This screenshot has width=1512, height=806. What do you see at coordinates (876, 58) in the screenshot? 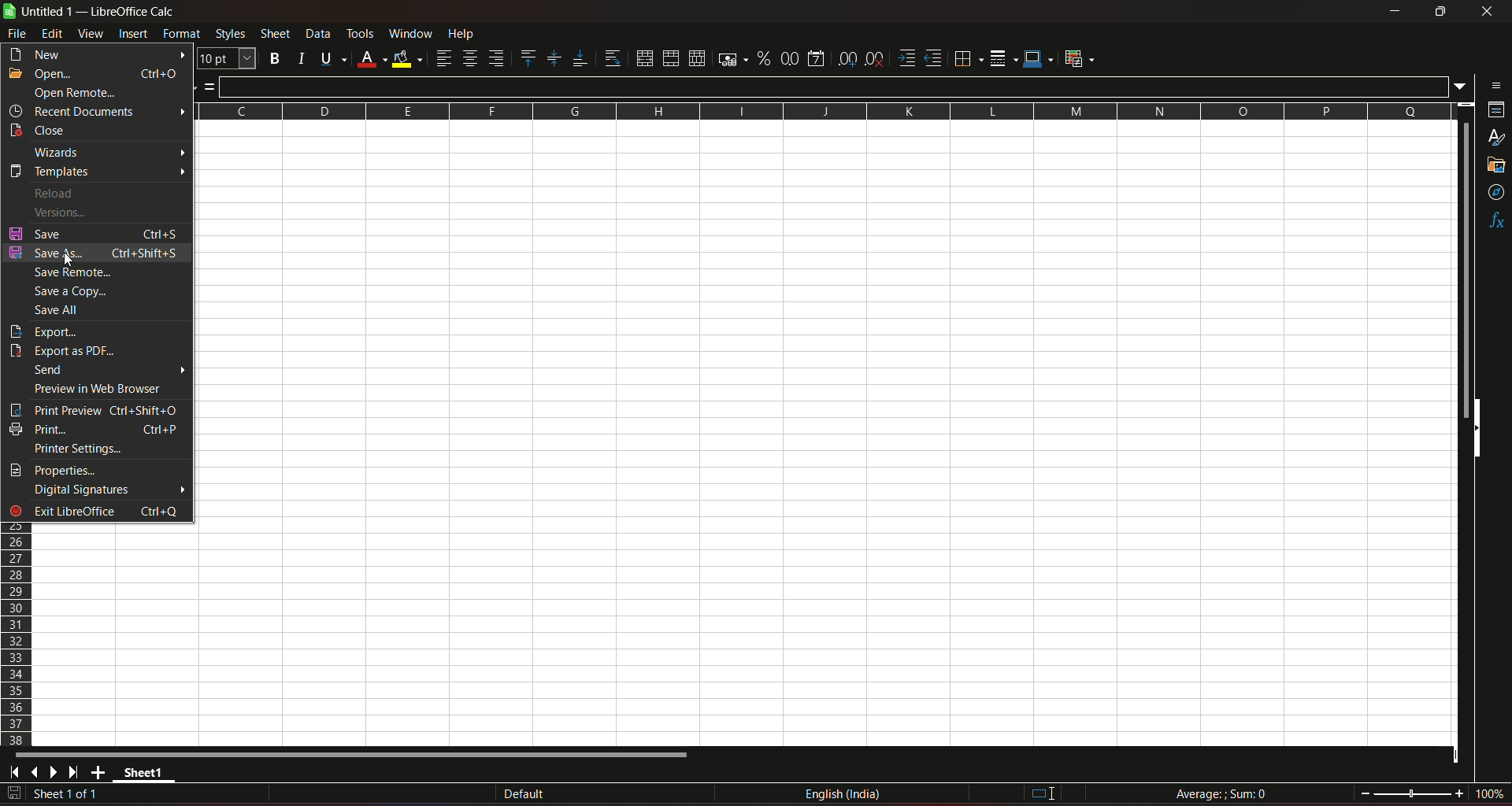
I see `delete decimal point` at bounding box center [876, 58].